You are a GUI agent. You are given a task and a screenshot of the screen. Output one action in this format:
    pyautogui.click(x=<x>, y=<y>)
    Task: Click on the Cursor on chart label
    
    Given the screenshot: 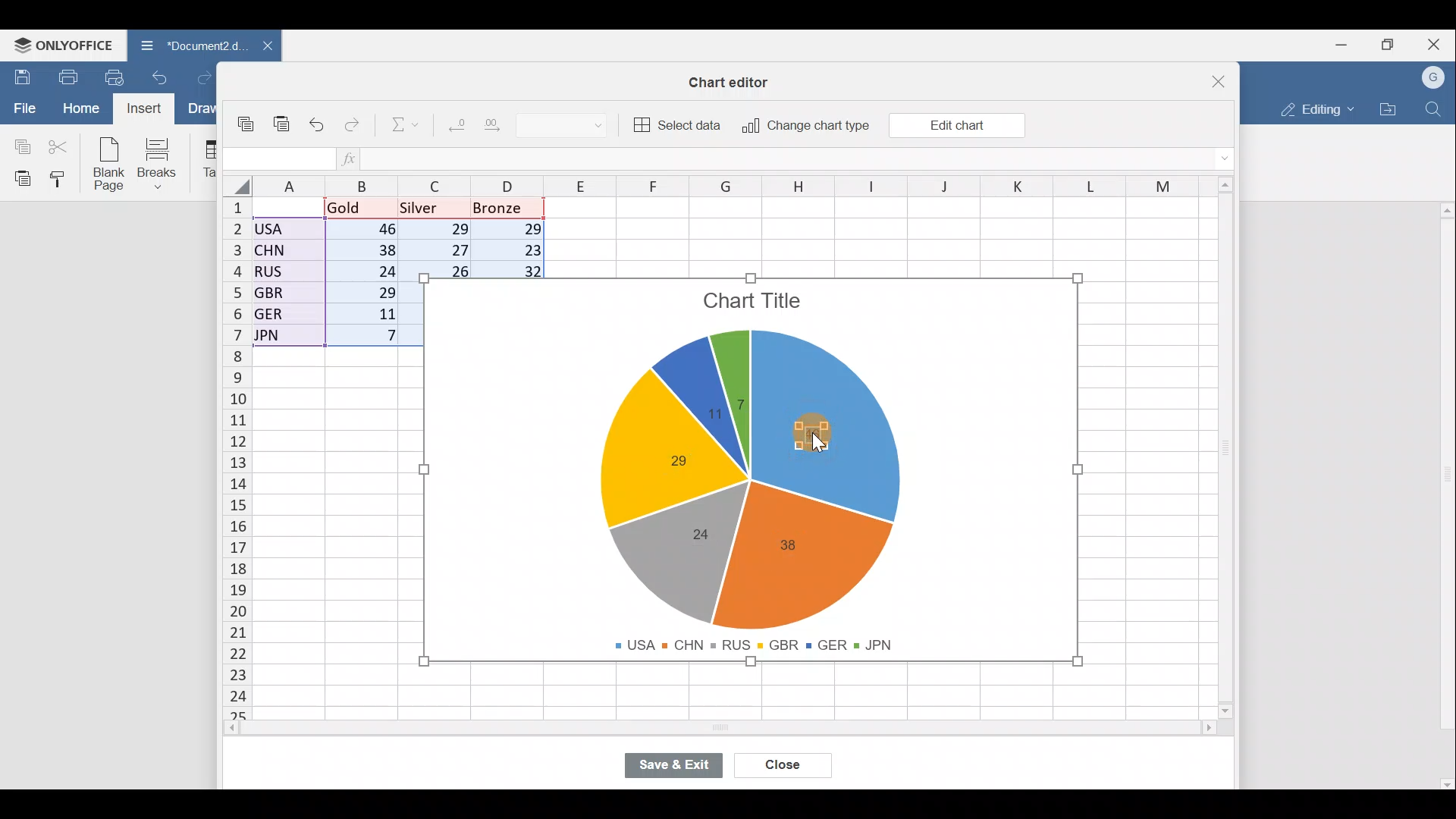 What is the action you would take?
    pyautogui.click(x=825, y=438)
    